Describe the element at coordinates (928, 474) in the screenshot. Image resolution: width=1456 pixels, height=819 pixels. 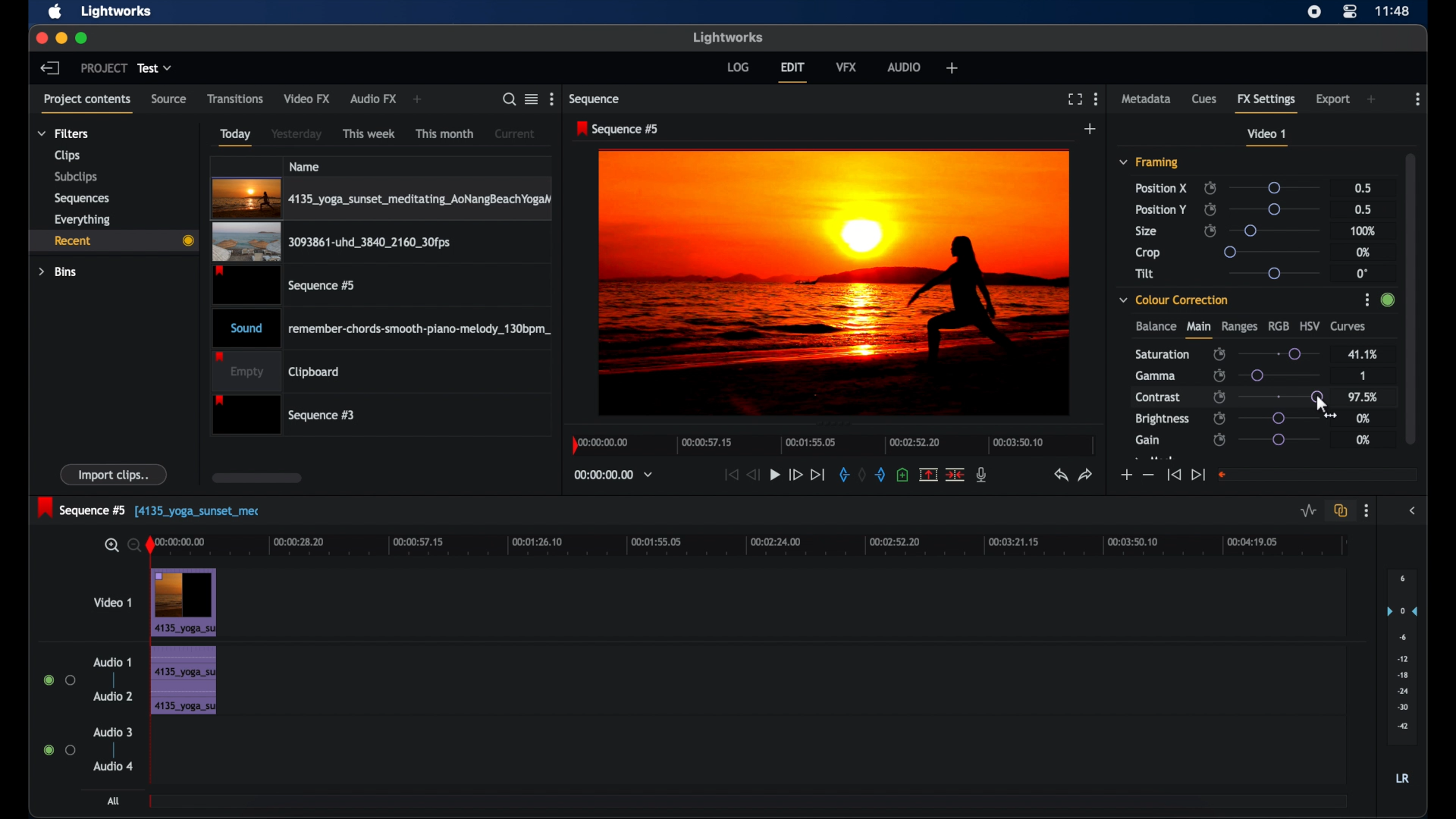
I see `split` at that location.